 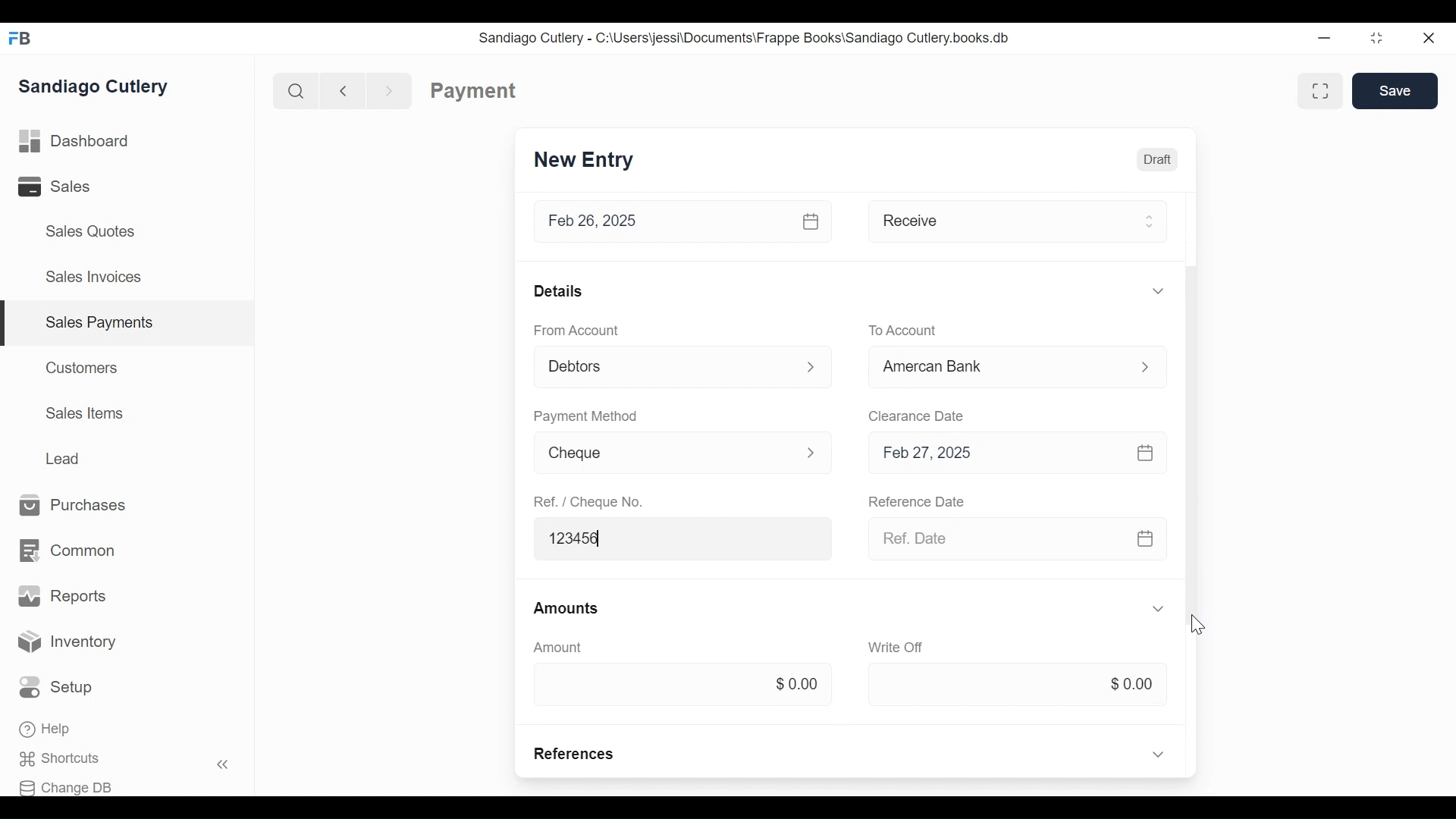 I want to click on Cheque, so click(x=661, y=454).